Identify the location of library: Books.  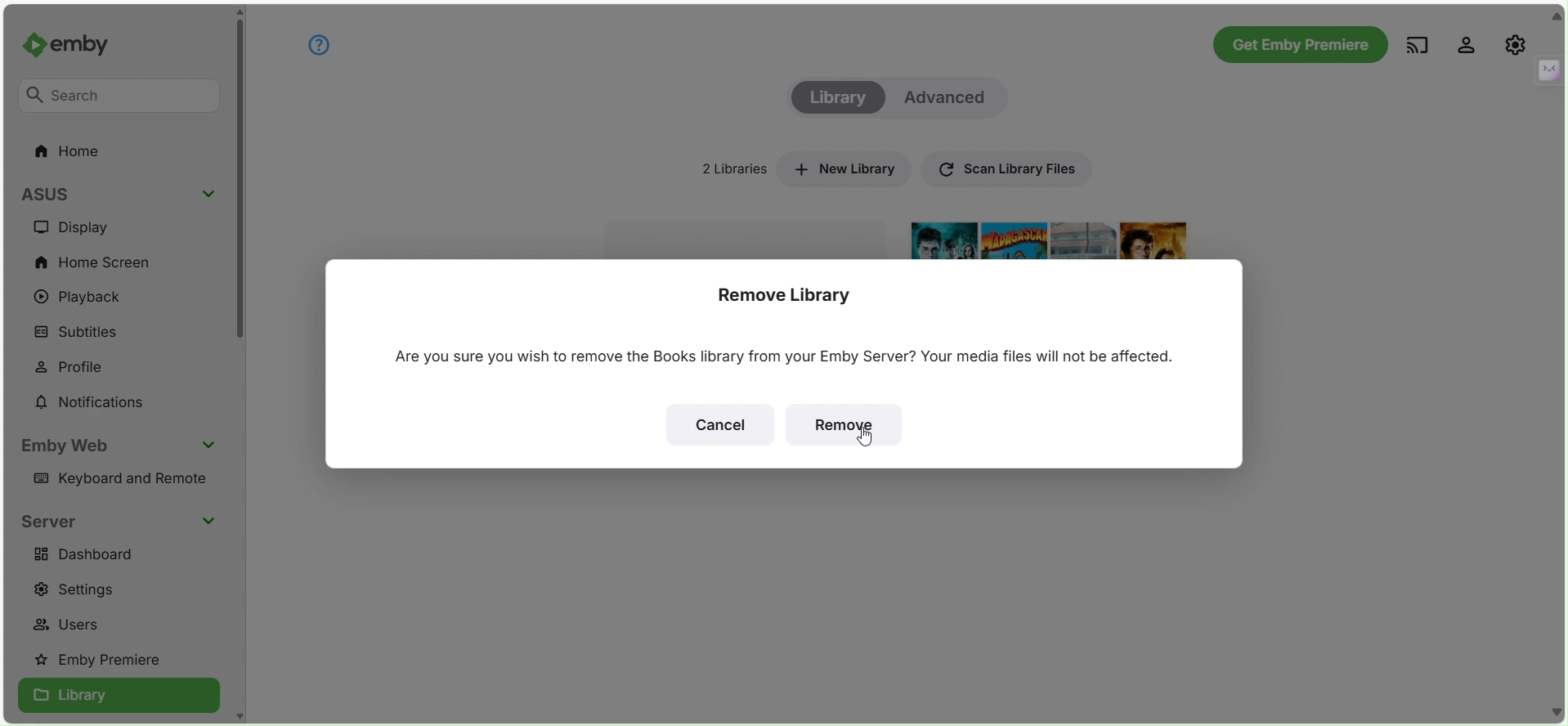
(746, 235).